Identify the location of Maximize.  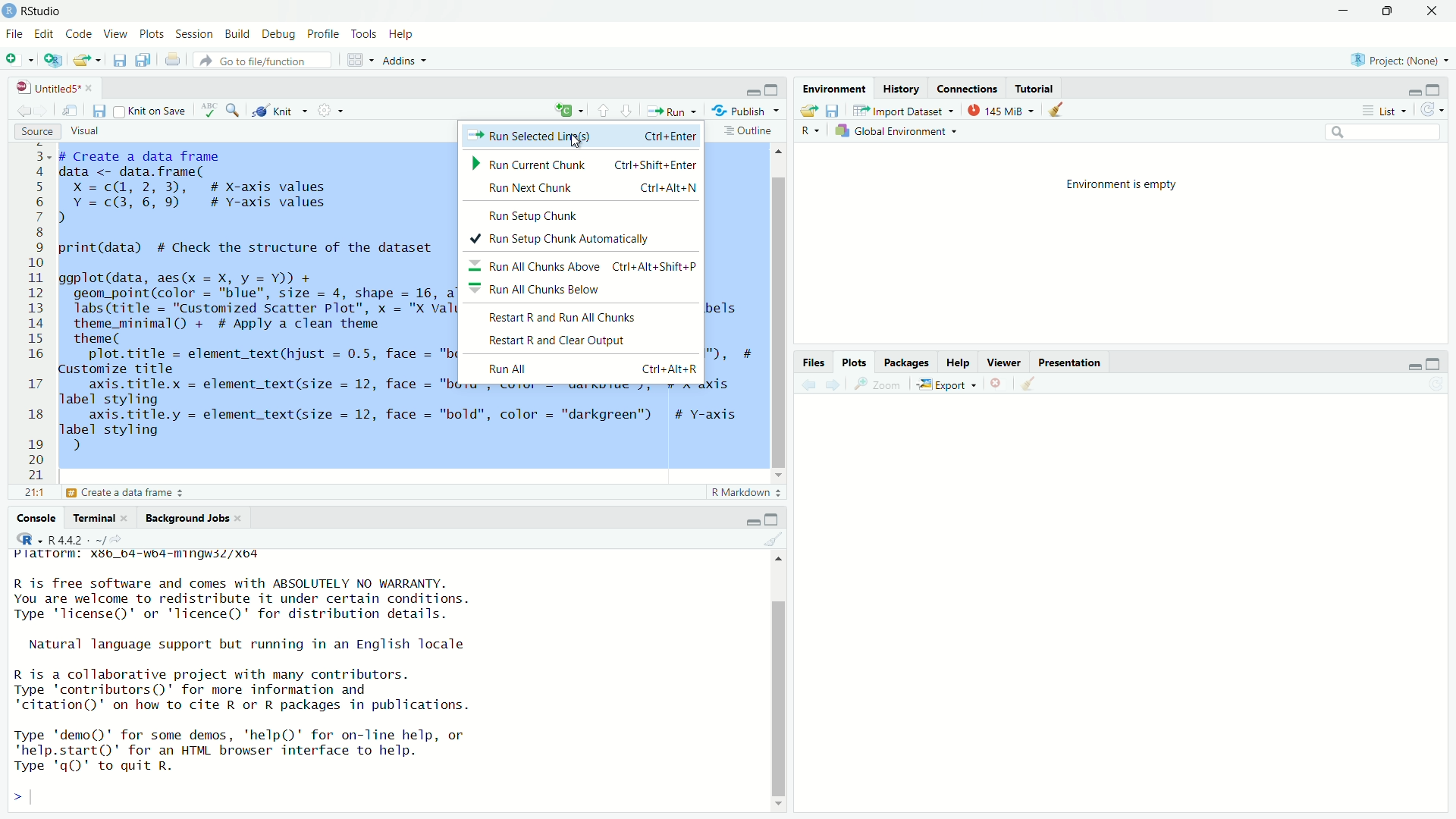
(772, 89).